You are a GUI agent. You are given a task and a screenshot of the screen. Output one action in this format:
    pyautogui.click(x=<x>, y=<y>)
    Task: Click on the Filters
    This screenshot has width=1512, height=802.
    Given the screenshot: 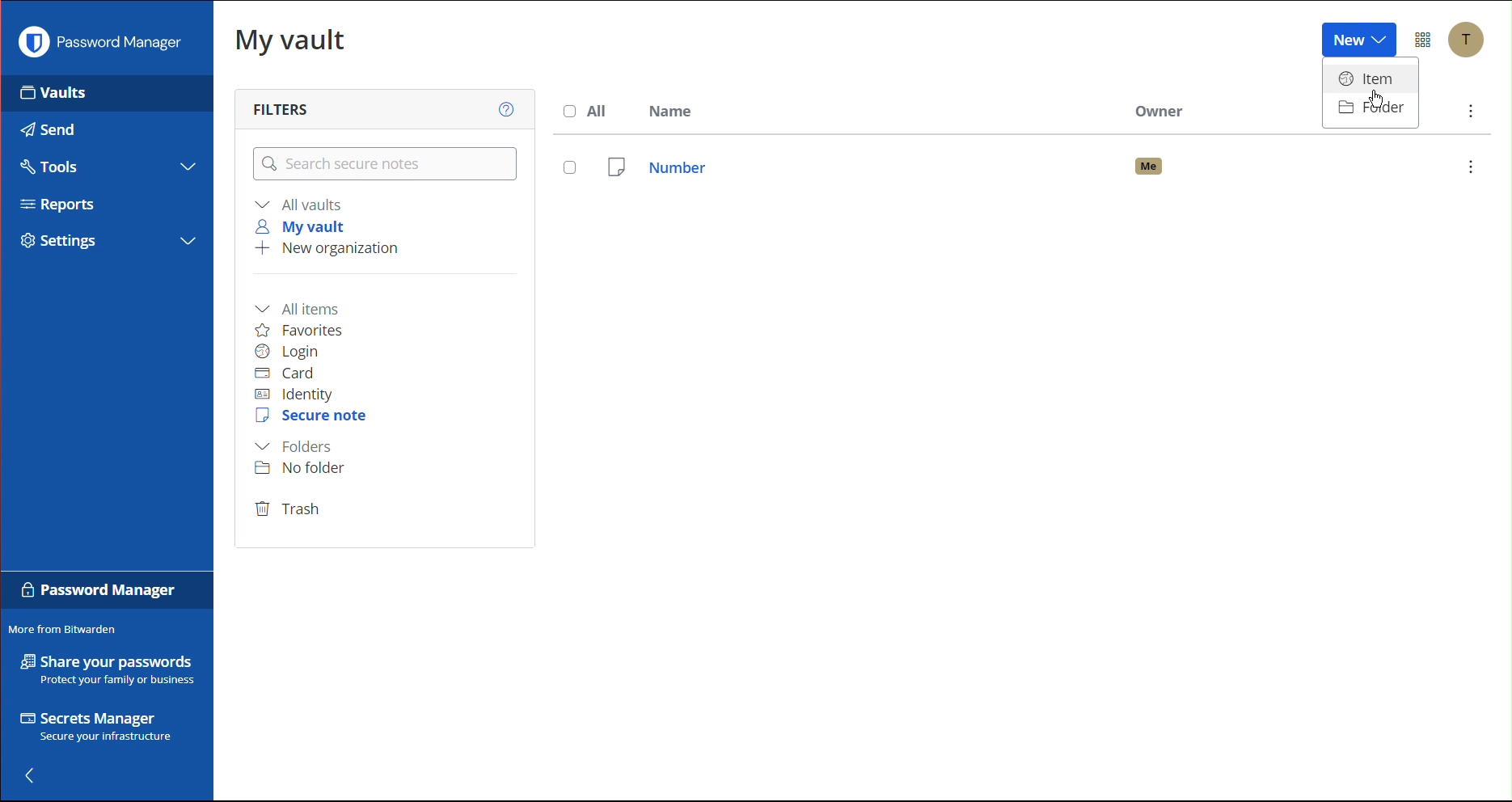 What is the action you would take?
    pyautogui.click(x=285, y=108)
    